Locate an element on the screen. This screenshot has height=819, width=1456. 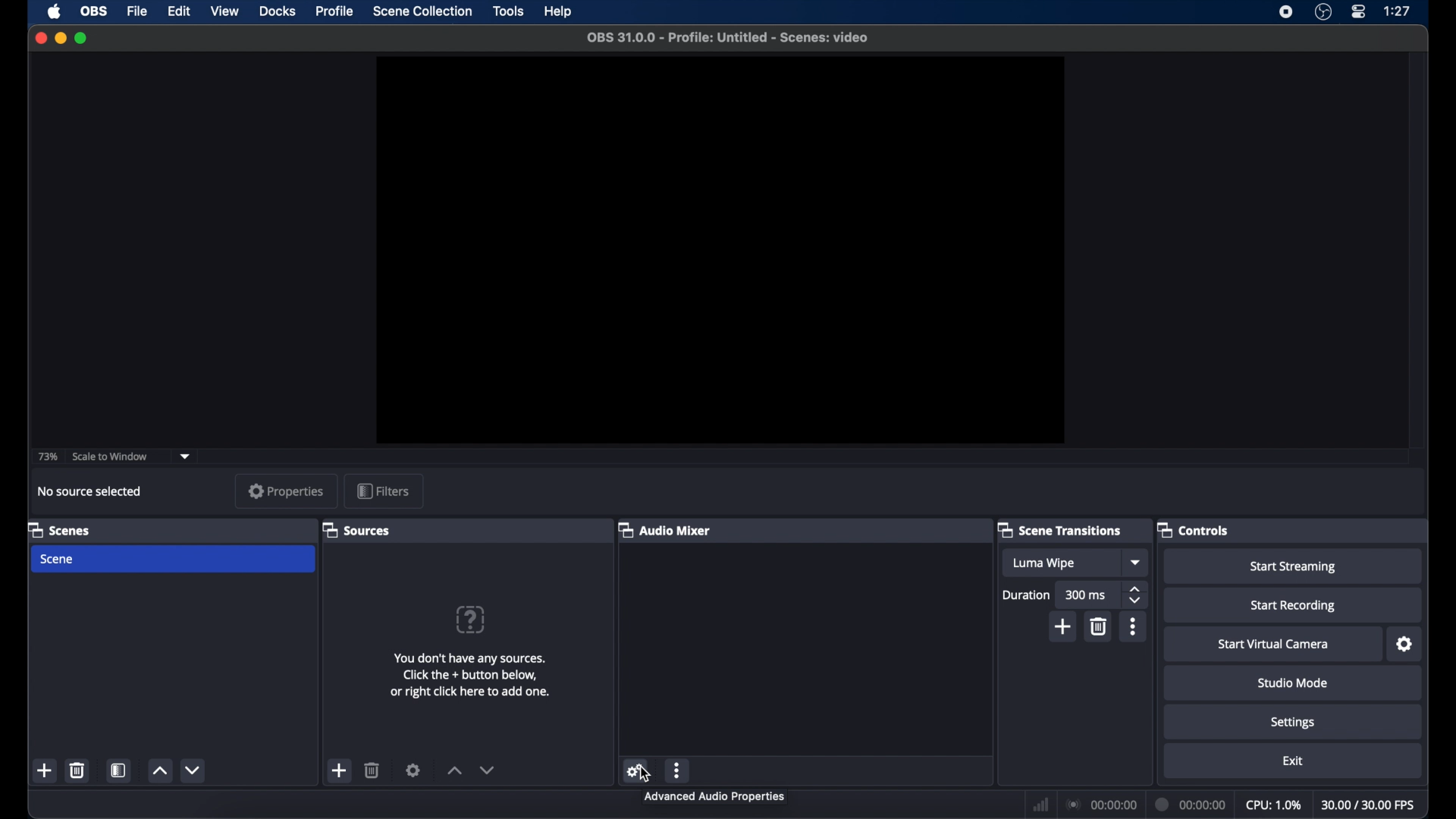
more options is located at coordinates (1134, 626).